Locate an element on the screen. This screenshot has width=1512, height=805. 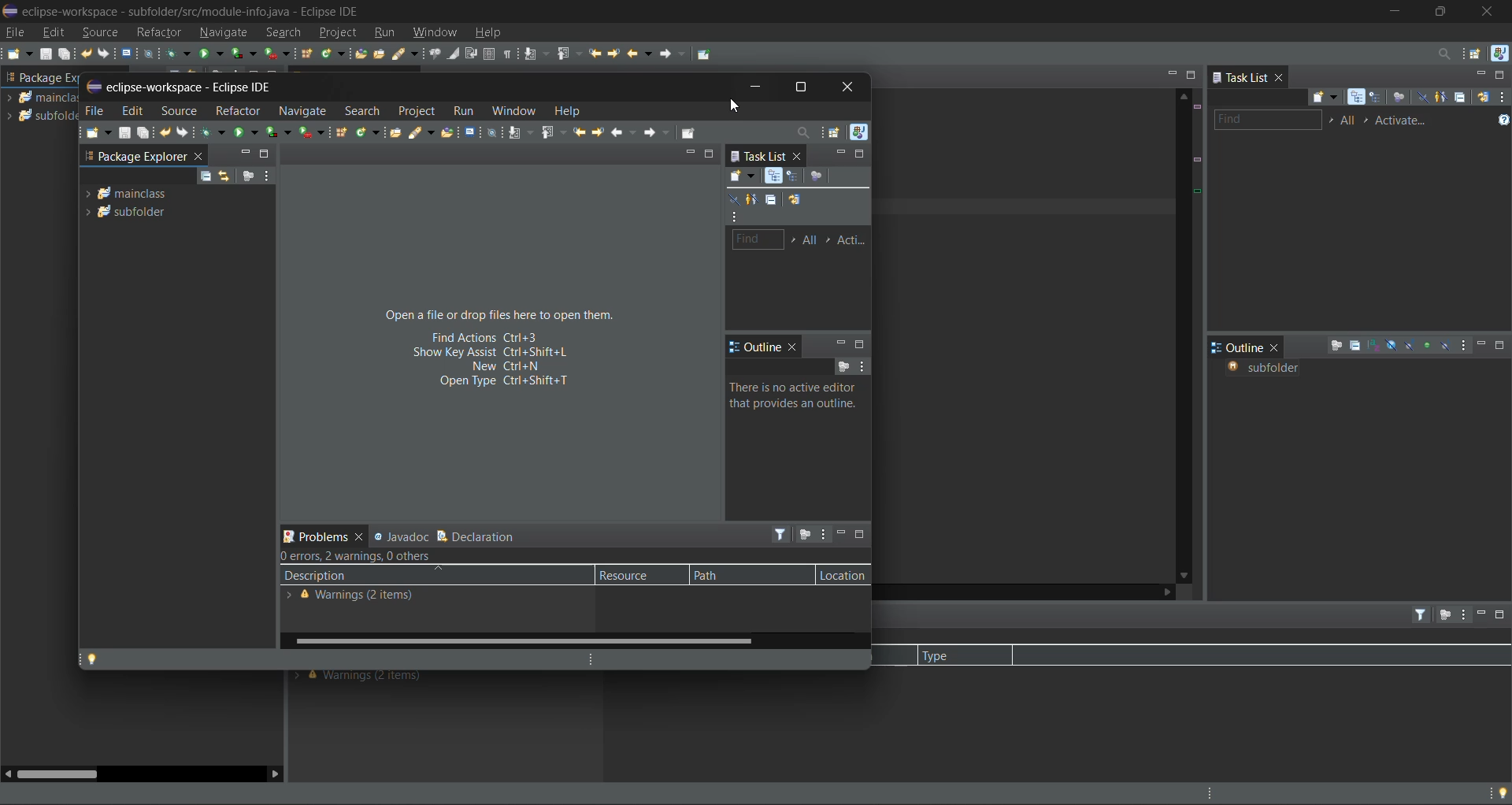
next annotation is located at coordinates (536, 53).